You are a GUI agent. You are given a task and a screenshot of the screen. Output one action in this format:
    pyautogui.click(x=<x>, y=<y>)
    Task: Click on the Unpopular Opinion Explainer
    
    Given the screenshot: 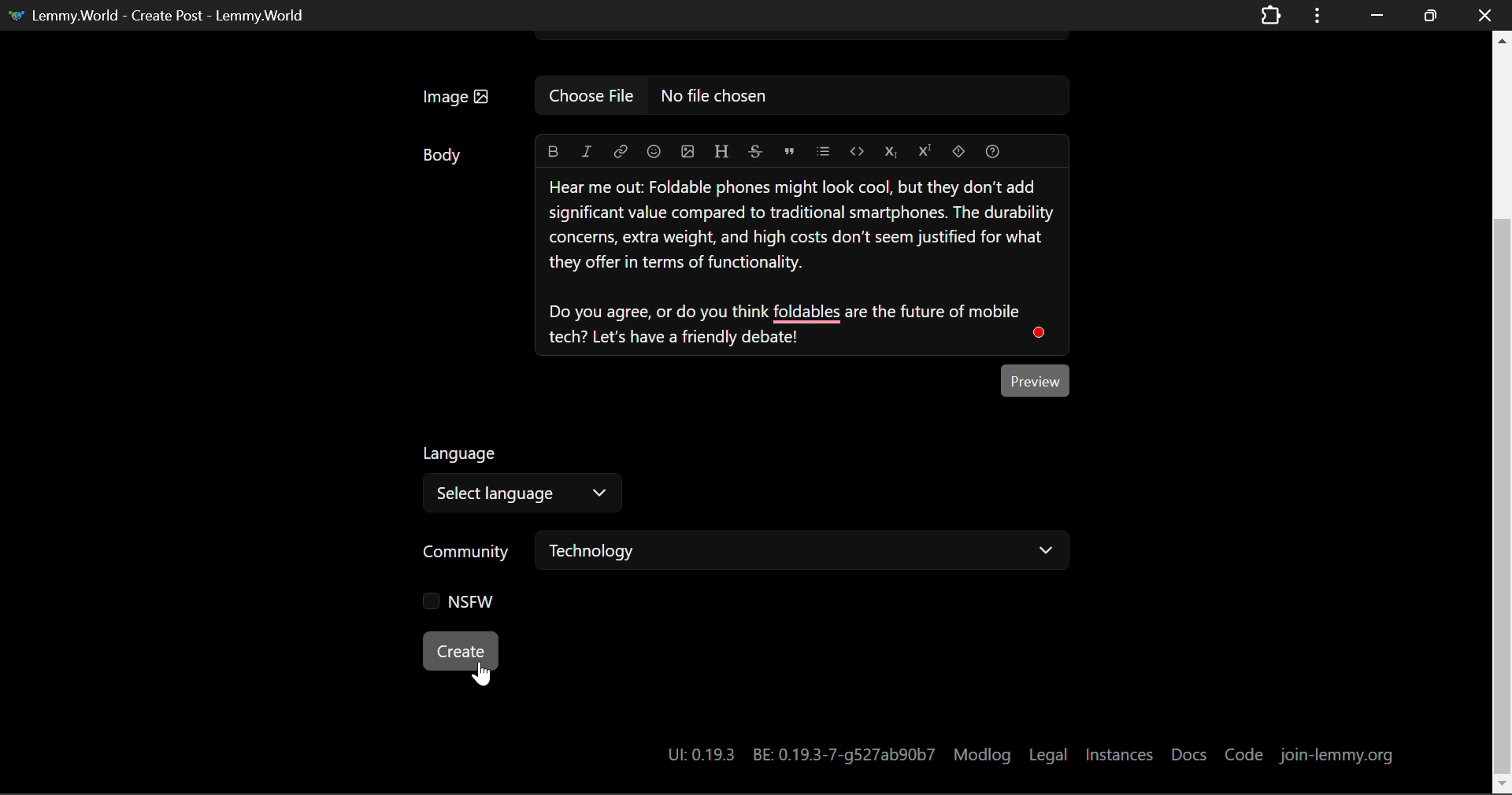 What is the action you would take?
    pyautogui.click(x=803, y=262)
    